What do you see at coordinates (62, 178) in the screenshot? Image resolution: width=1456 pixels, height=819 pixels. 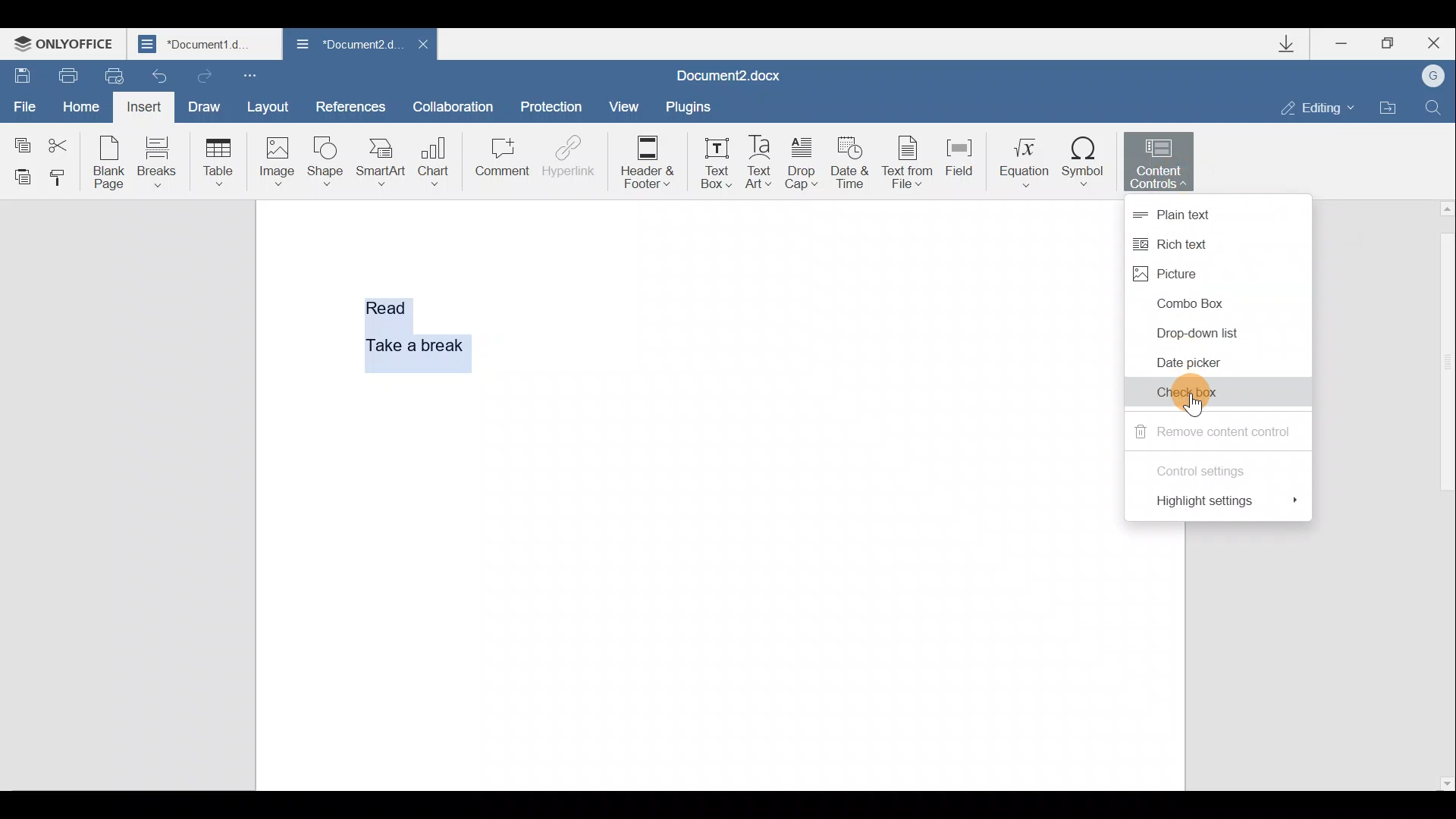 I see `Copy style` at bounding box center [62, 178].